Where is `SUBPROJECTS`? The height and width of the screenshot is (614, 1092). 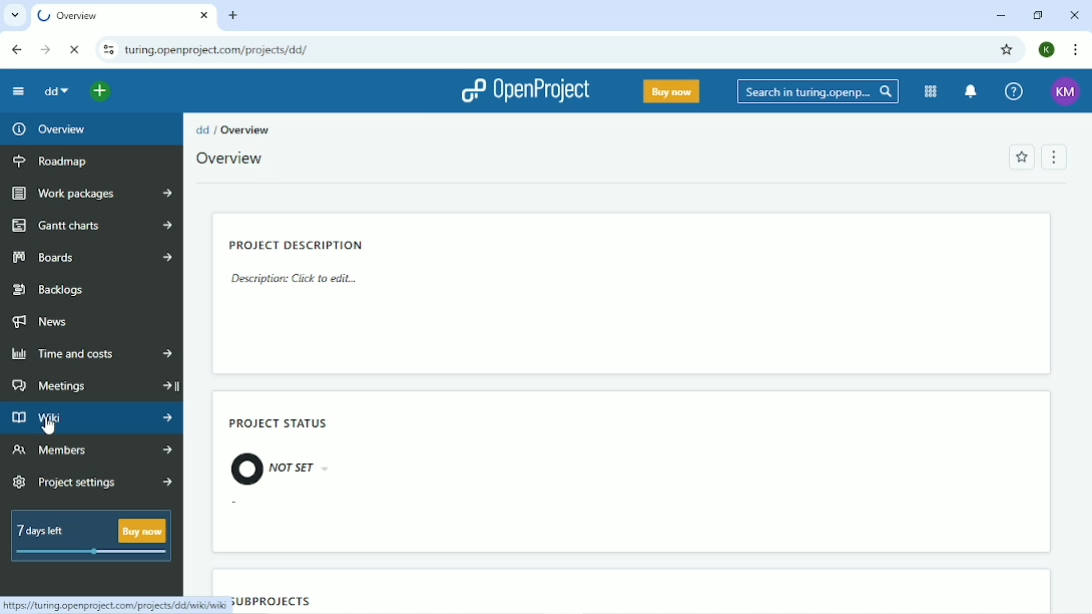
SUBPROJECTS is located at coordinates (268, 600).